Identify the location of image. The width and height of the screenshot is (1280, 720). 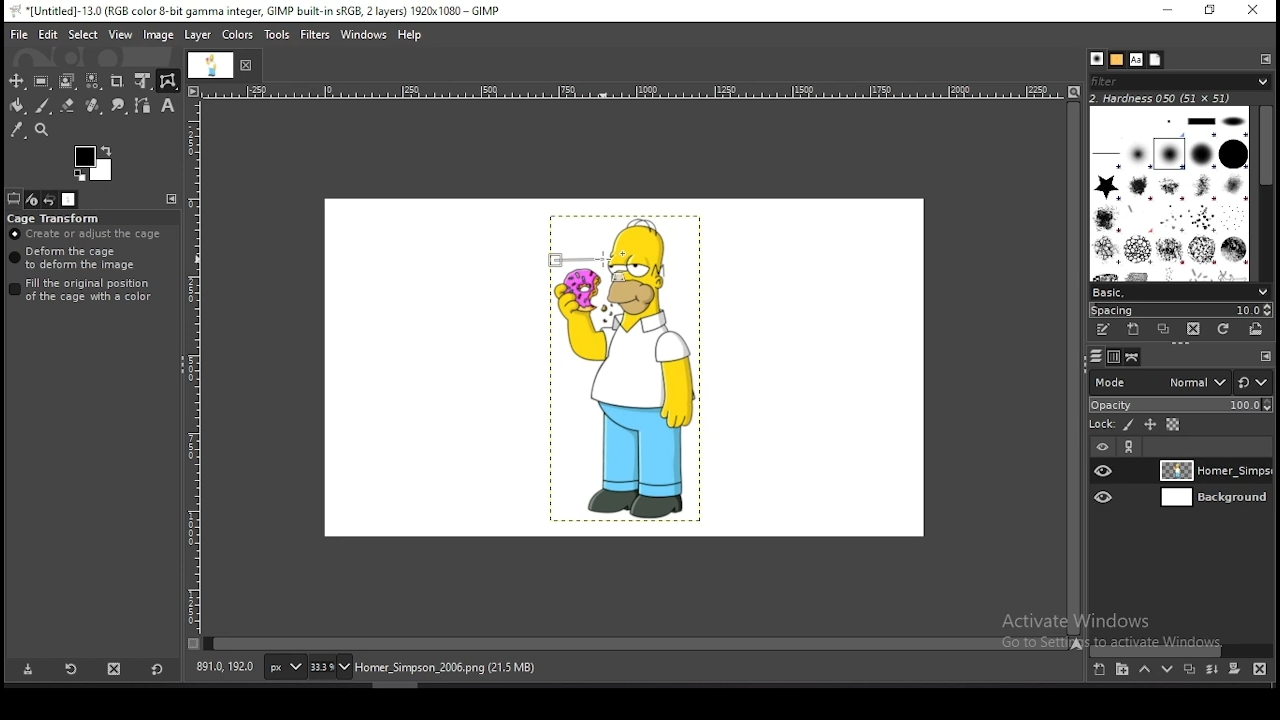
(617, 372).